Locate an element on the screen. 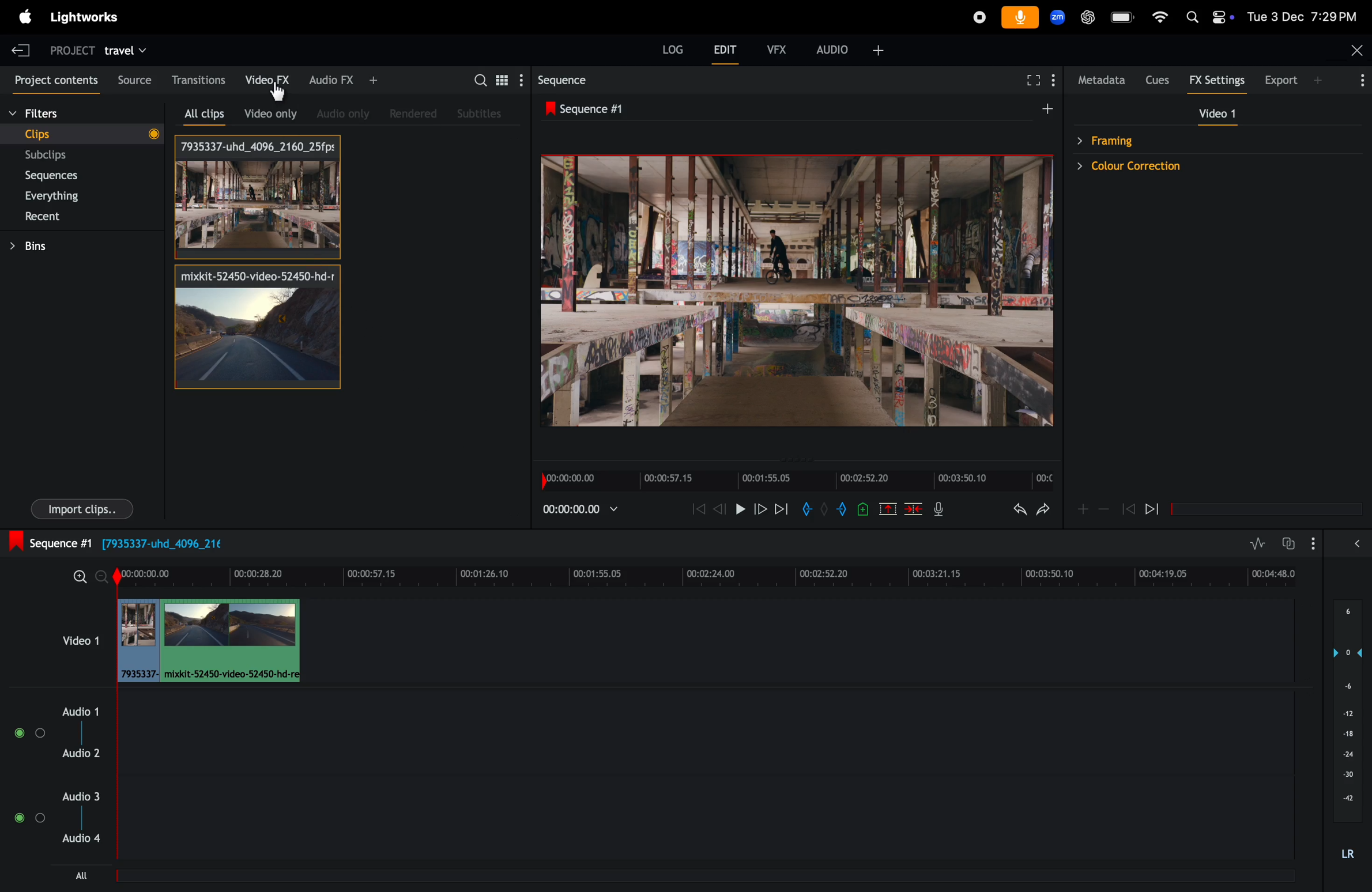 Image resolution: width=1372 pixels, height=892 pixels. expand is located at coordinates (1354, 544).